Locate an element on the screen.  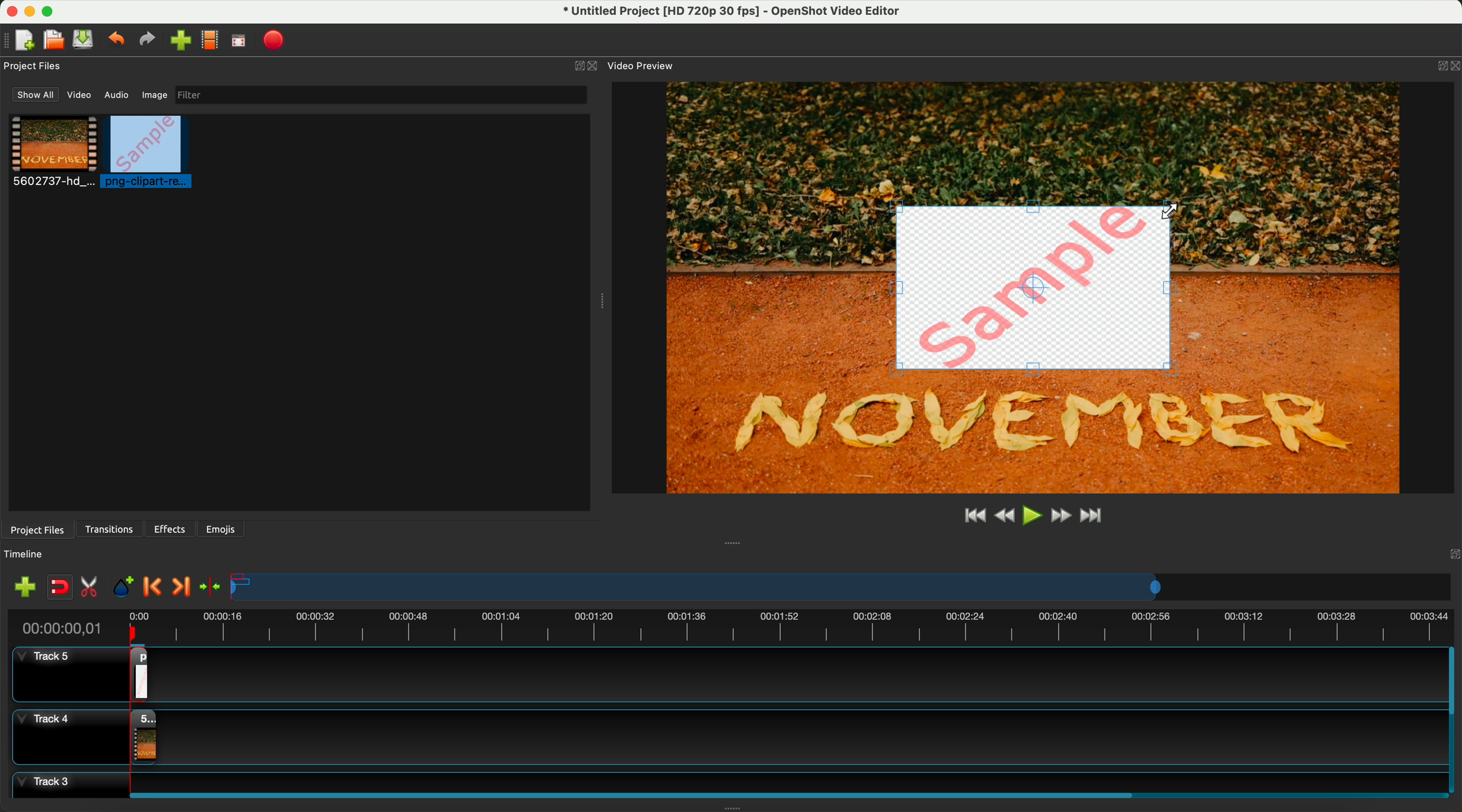
full screen is located at coordinates (240, 43).